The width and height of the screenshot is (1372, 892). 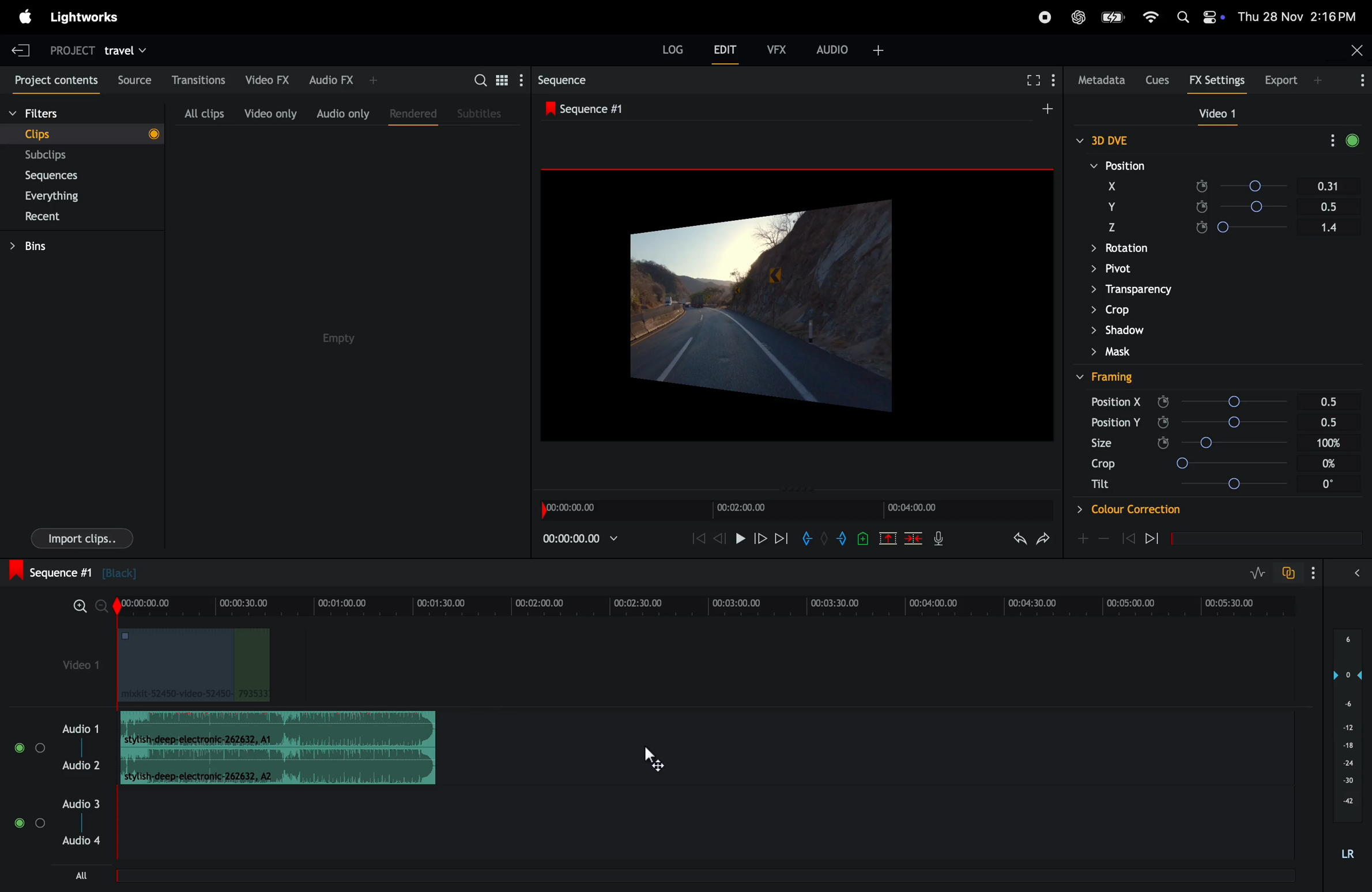 I want to click on framing, so click(x=1107, y=140).